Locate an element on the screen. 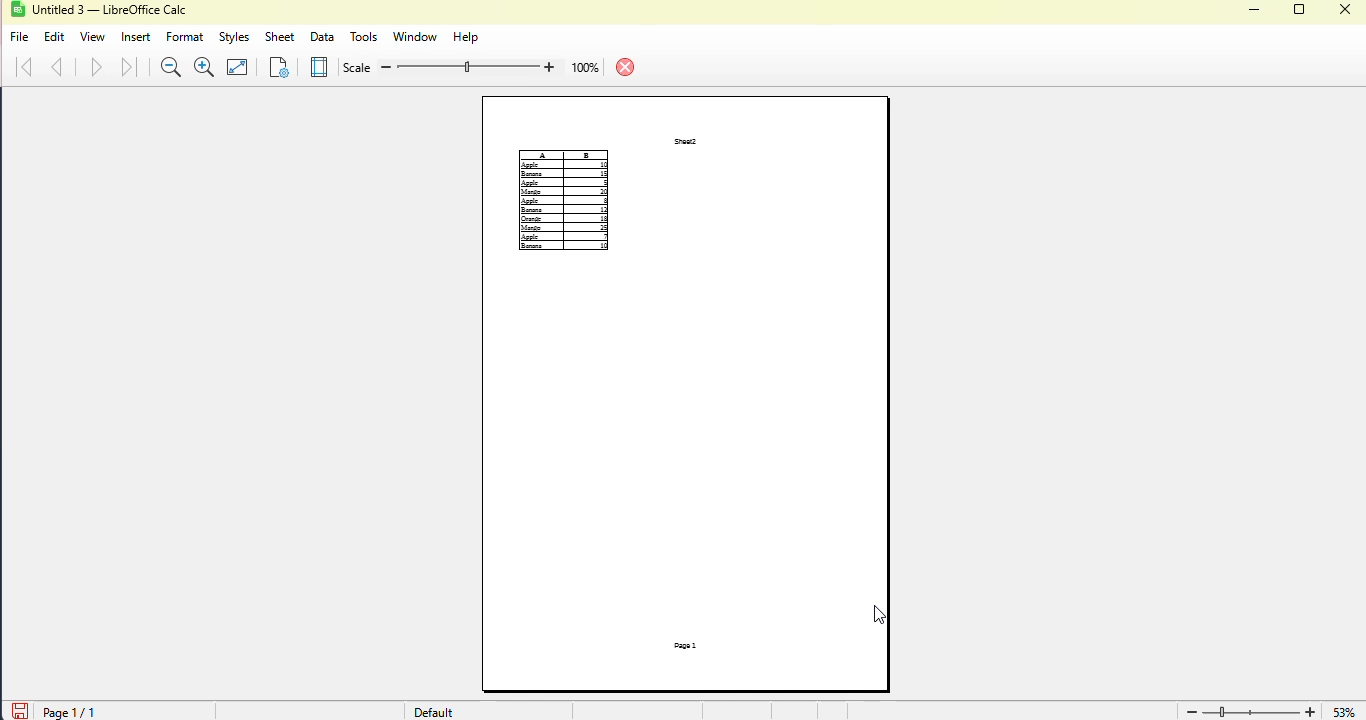 This screenshot has height=720, width=1366. zoom in is located at coordinates (1311, 710).